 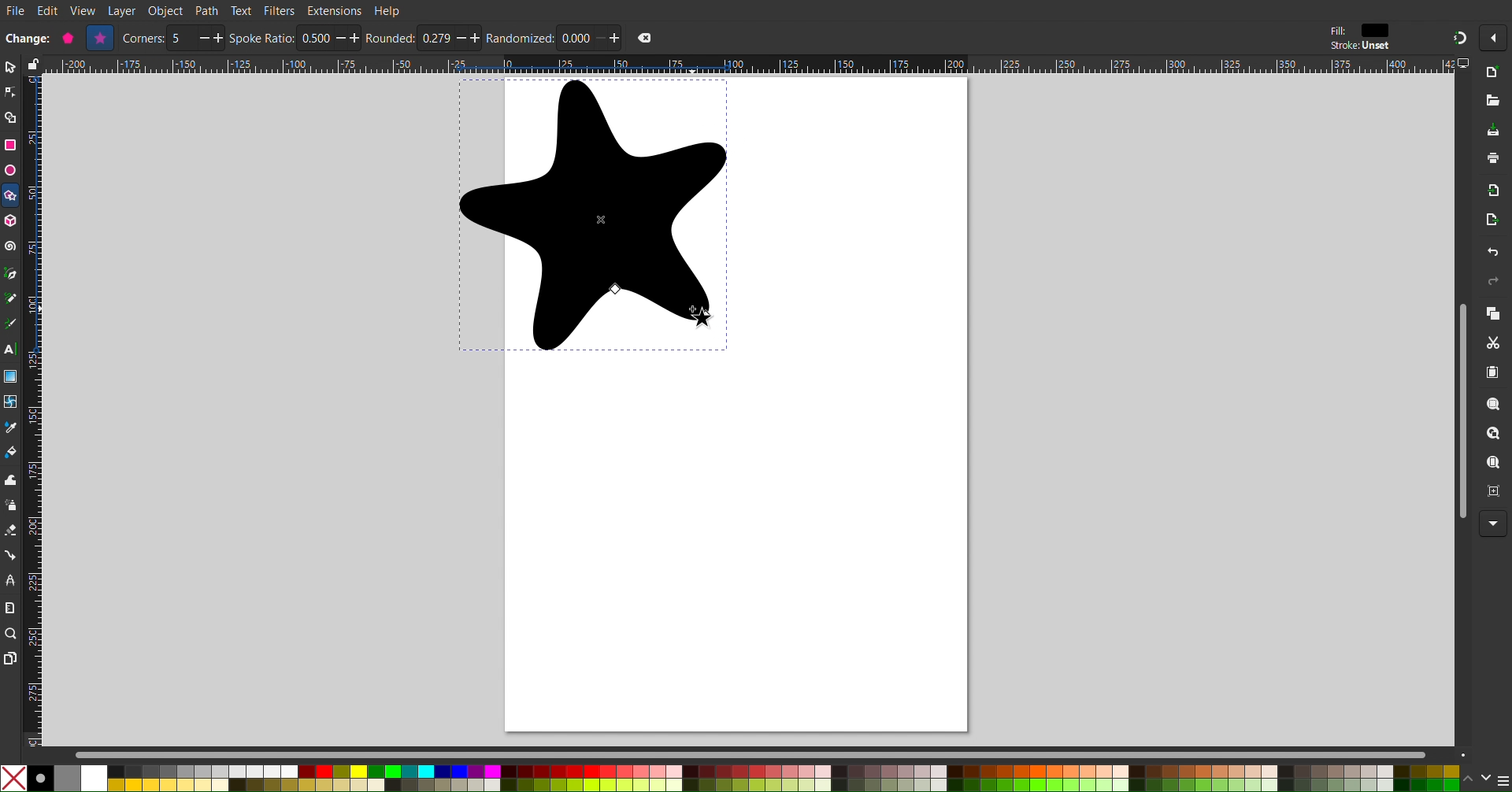 I want to click on 3D Box Tool, so click(x=11, y=220).